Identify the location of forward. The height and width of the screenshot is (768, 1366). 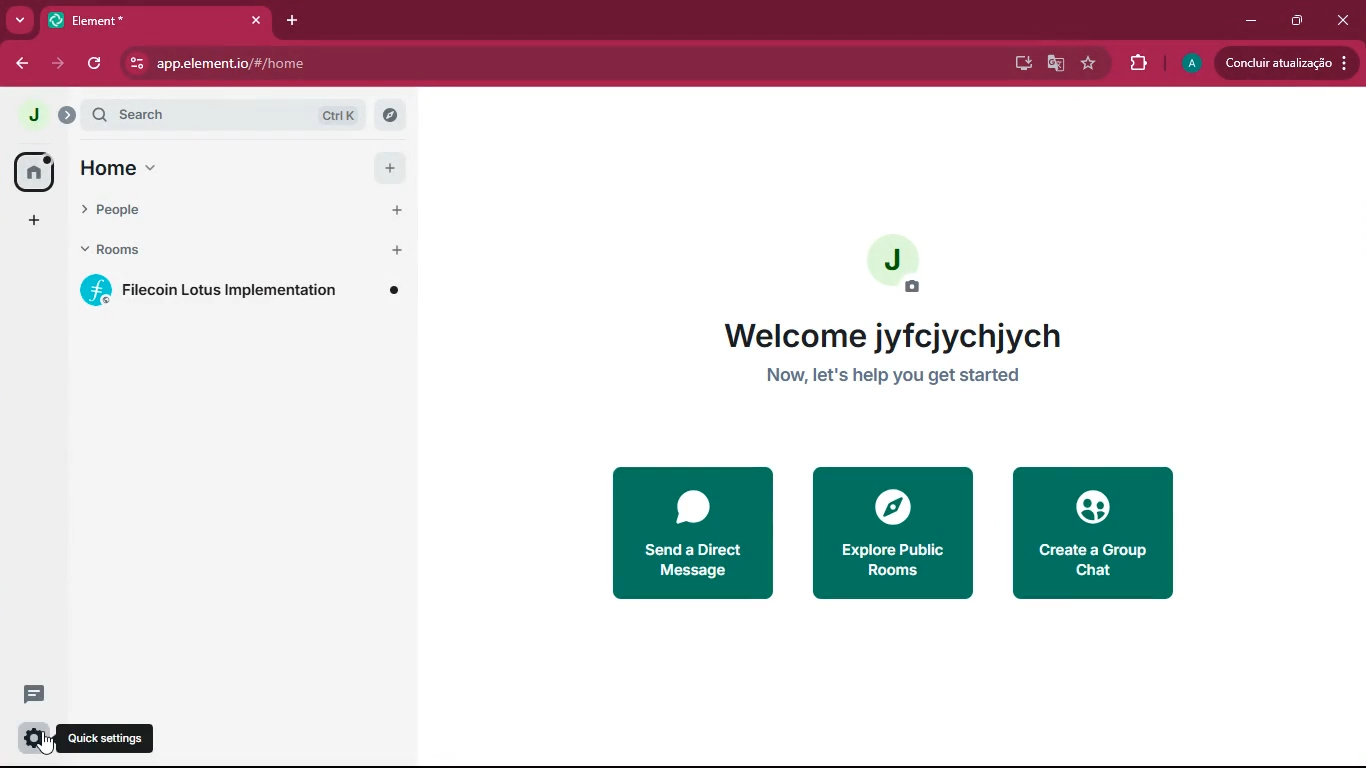
(60, 61).